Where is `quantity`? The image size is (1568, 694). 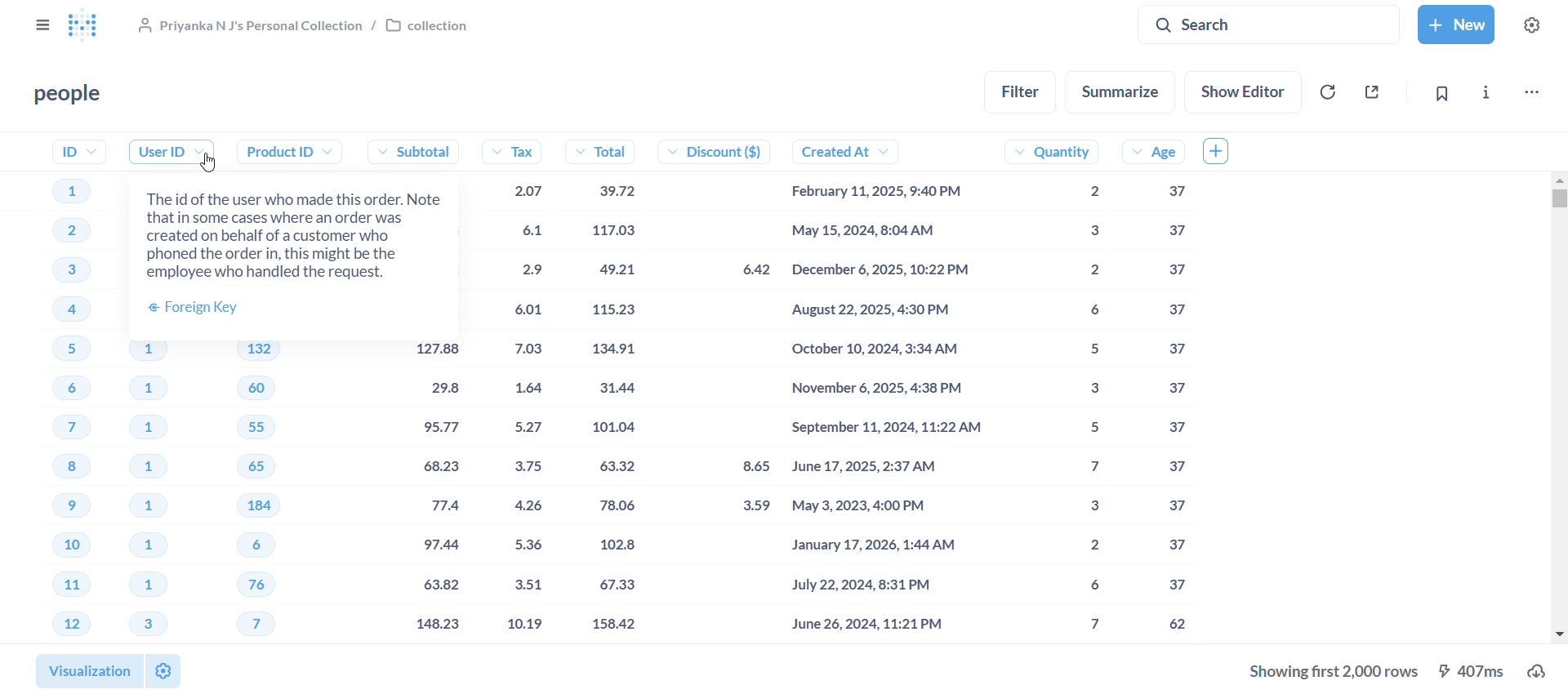
quantity is located at coordinates (1070, 388).